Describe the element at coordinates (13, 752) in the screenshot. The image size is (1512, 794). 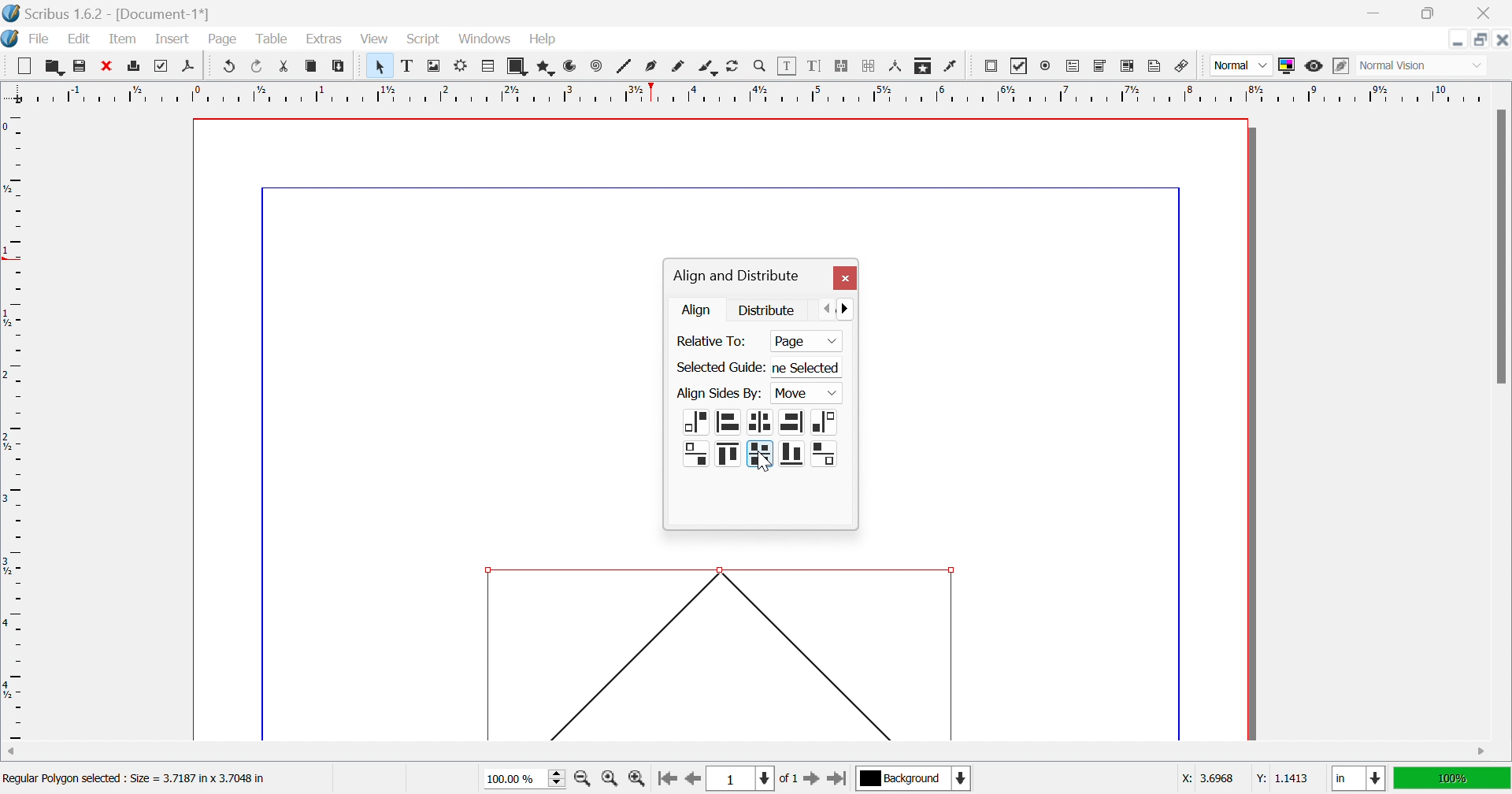
I see `Scroll left` at that location.